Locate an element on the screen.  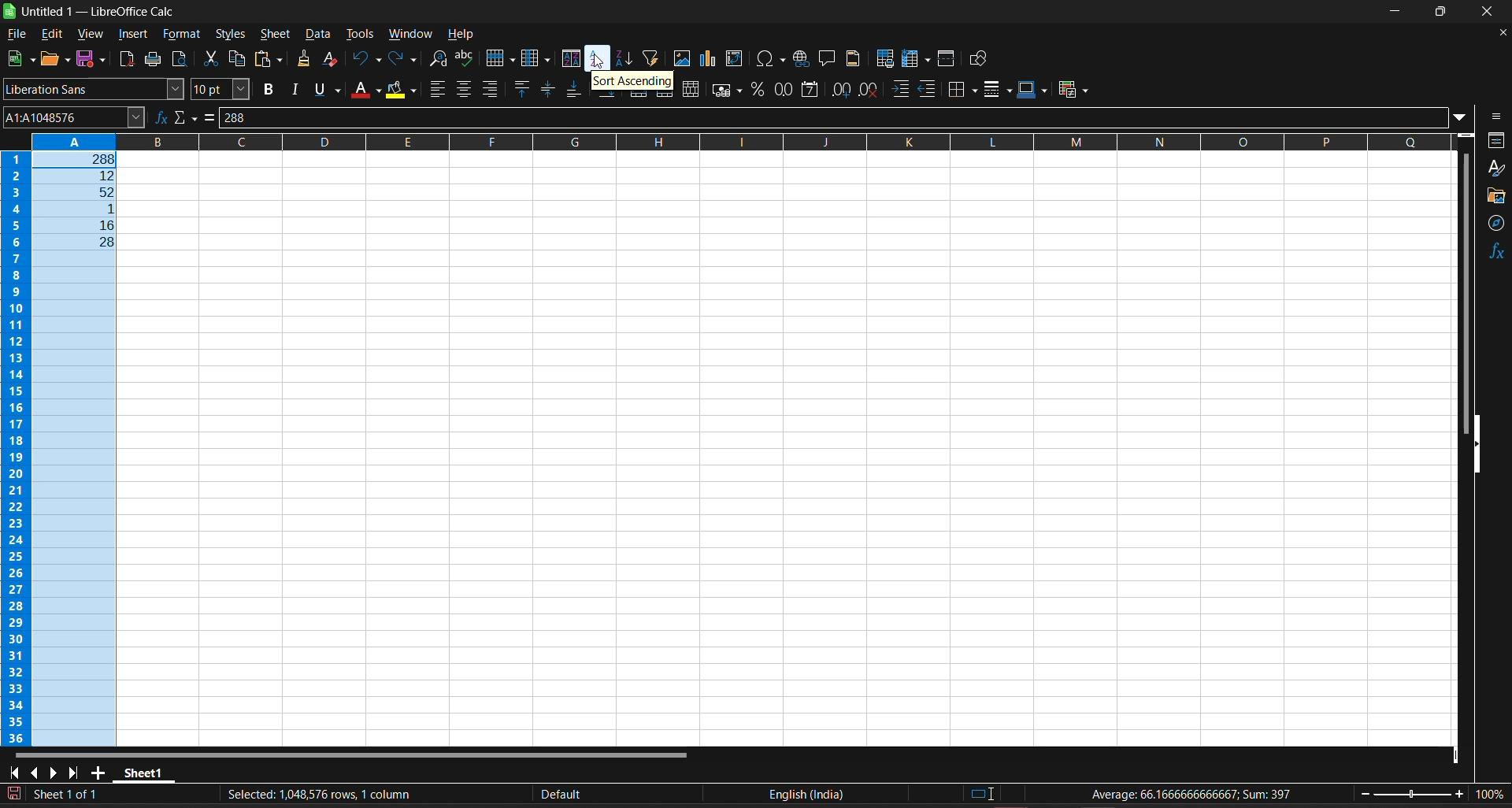
autofilter is located at coordinates (650, 57).